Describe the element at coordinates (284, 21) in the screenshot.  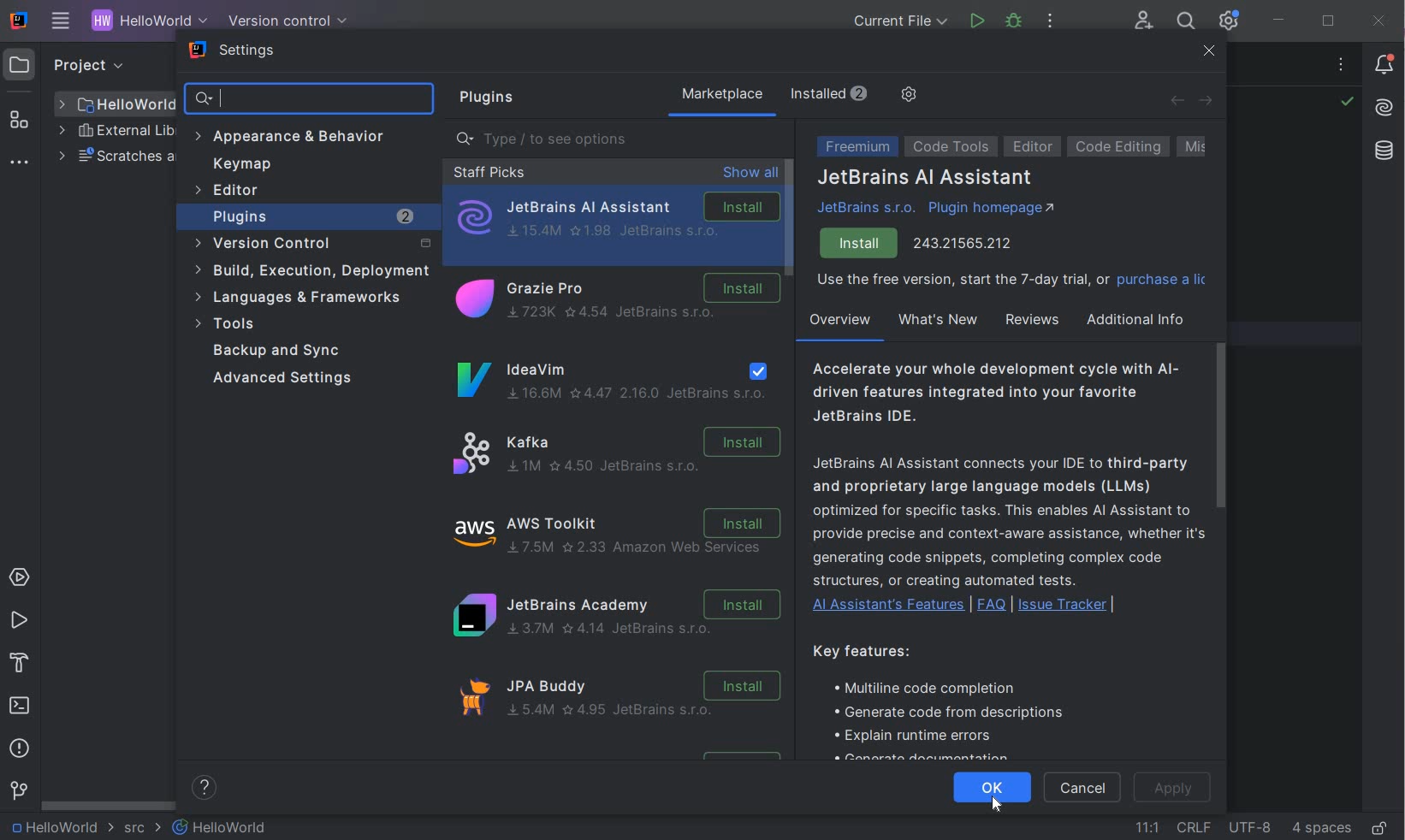
I see `VERSION CONTROL` at that location.